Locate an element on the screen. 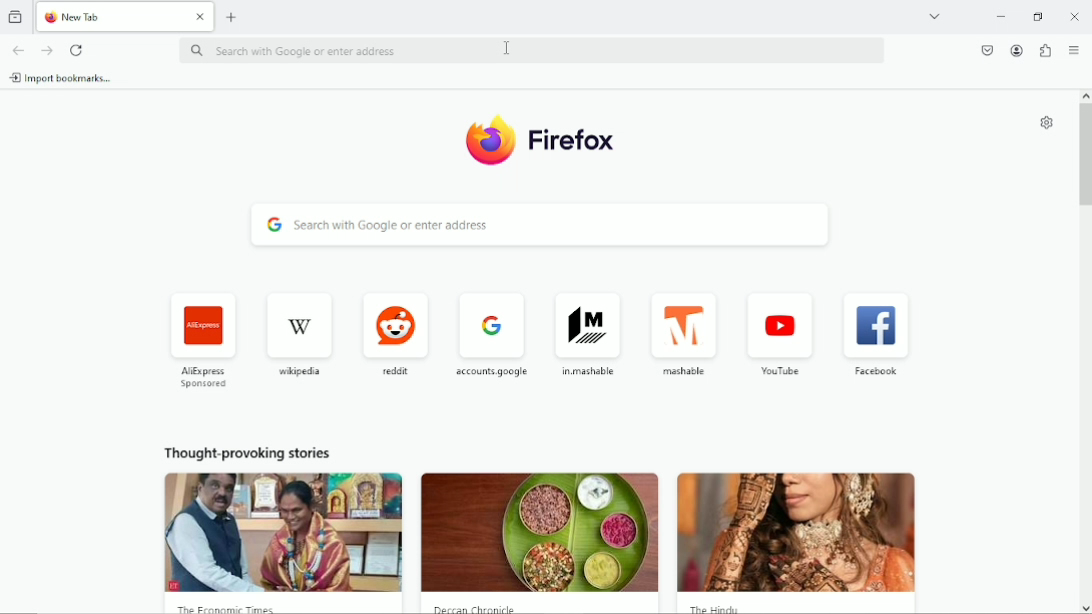  scroll down is located at coordinates (1084, 606).